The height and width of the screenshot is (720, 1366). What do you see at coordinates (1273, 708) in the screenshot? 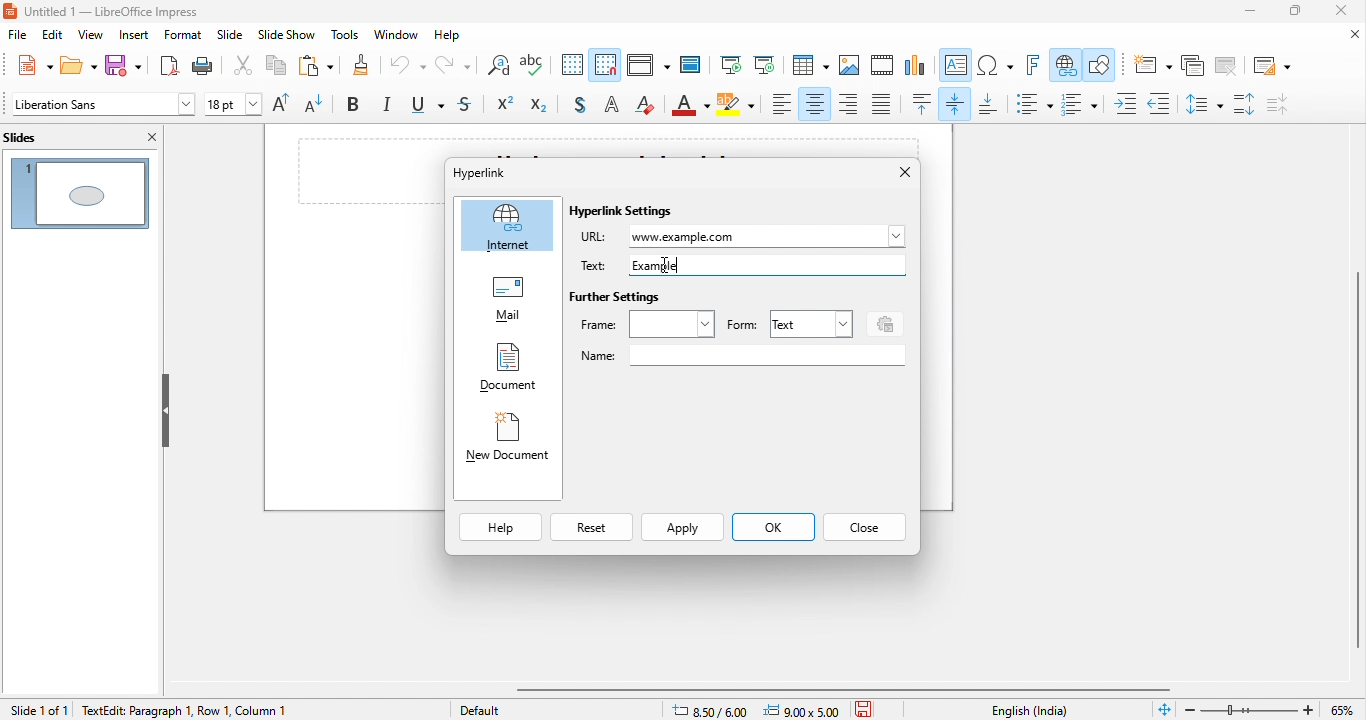
I see `zoom` at bounding box center [1273, 708].